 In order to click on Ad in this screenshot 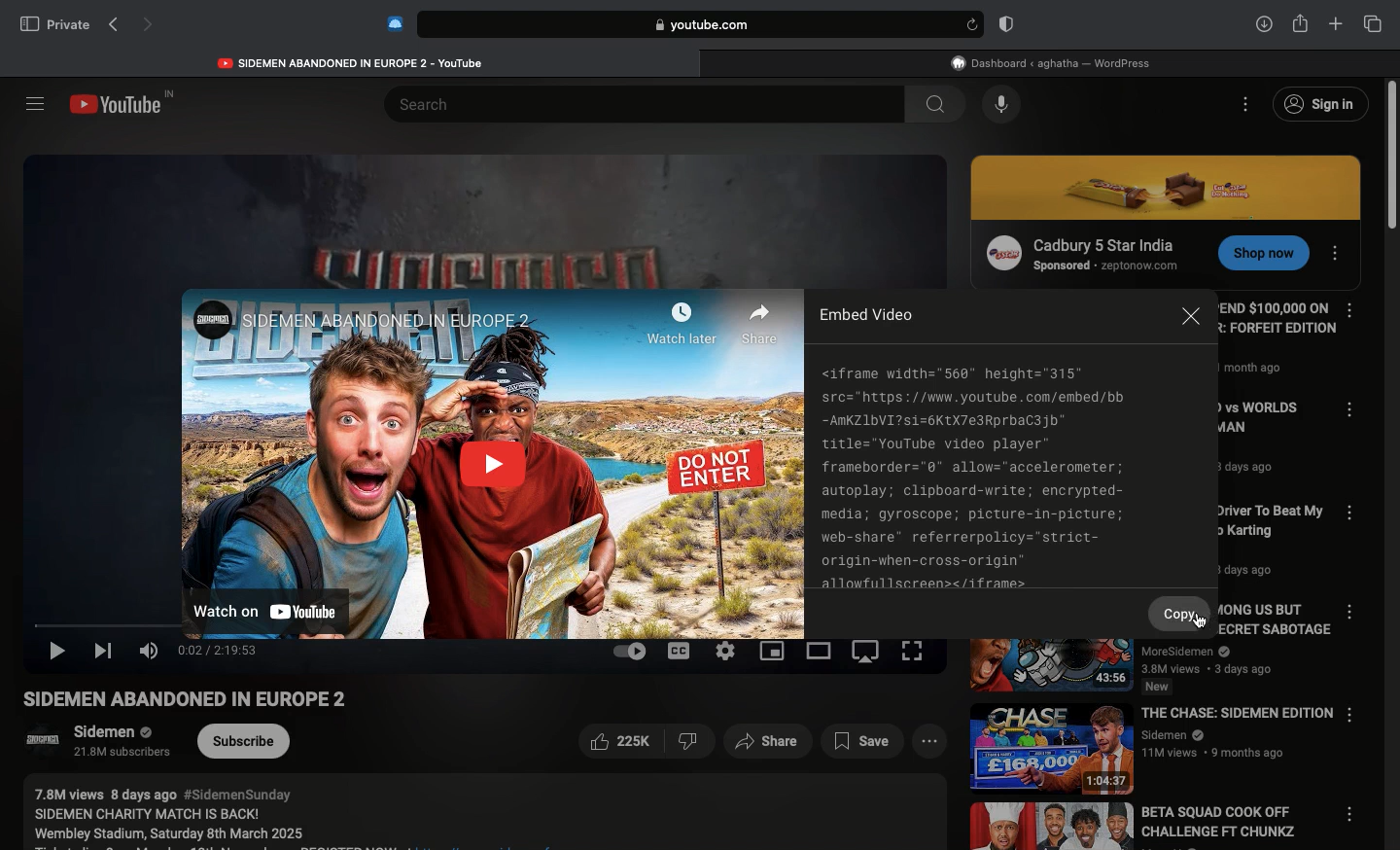, I will do `click(1169, 188)`.